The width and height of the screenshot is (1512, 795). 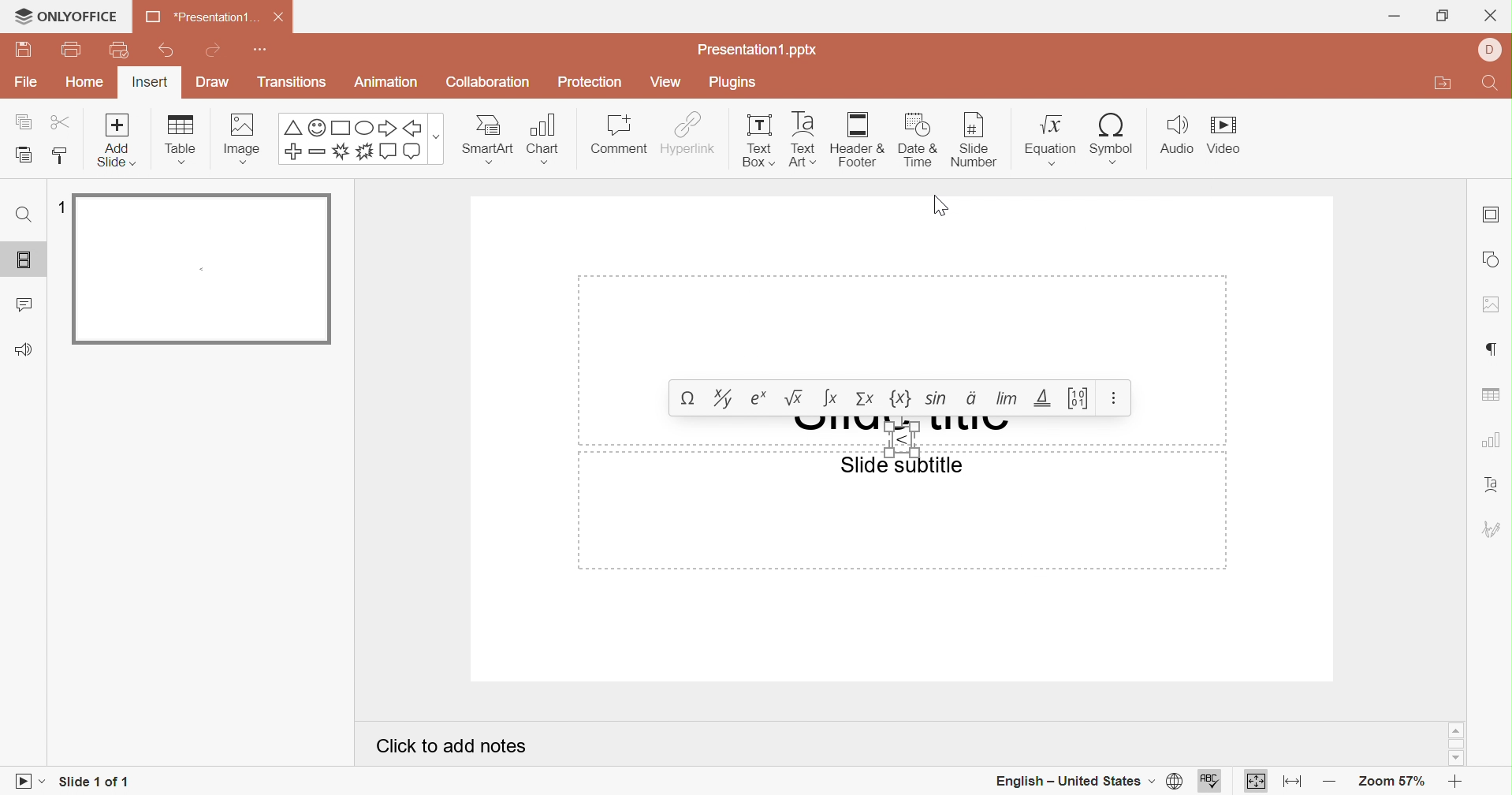 What do you see at coordinates (1228, 133) in the screenshot?
I see `Video` at bounding box center [1228, 133].